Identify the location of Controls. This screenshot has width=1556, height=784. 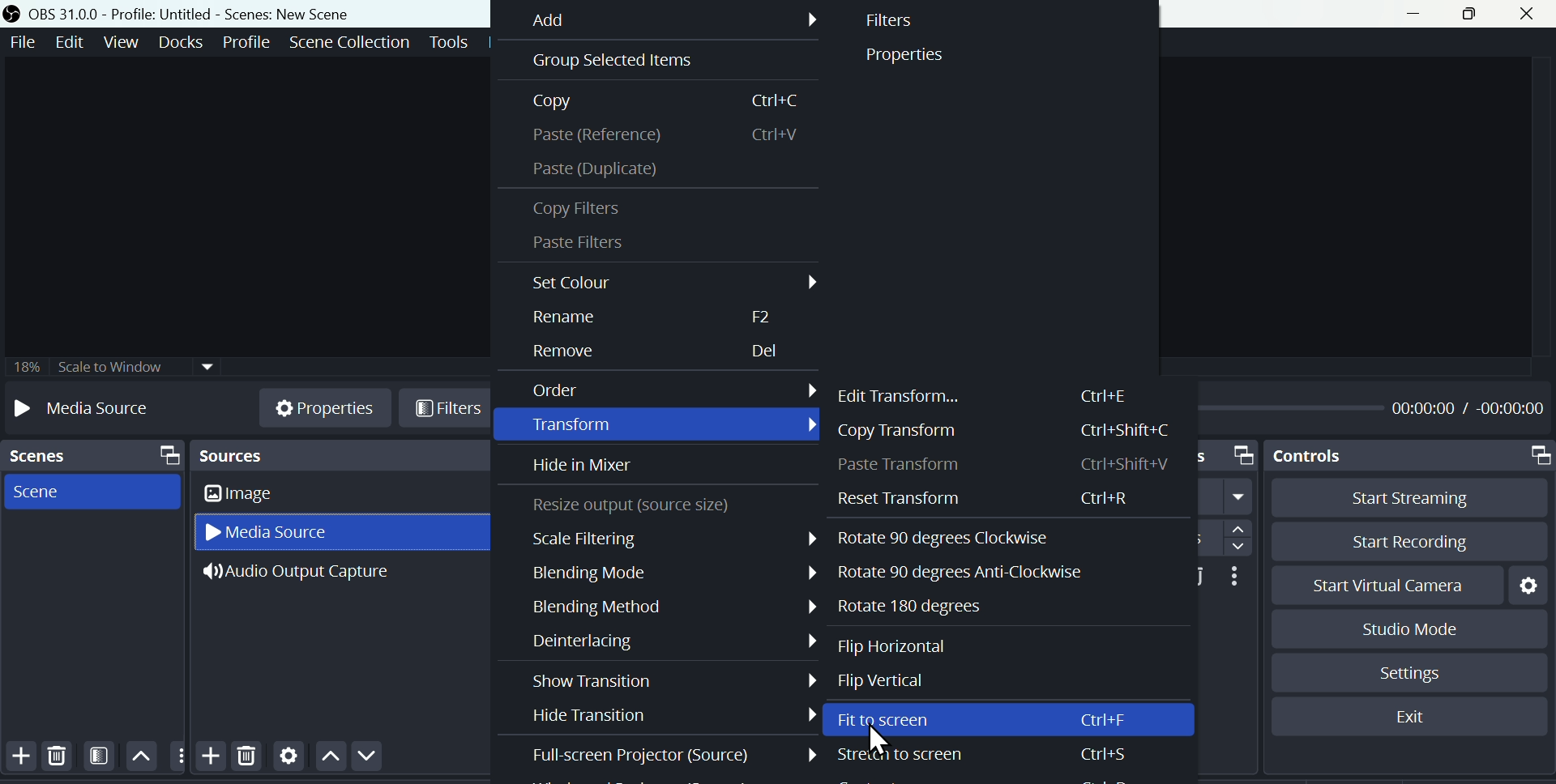
(1413, 456).